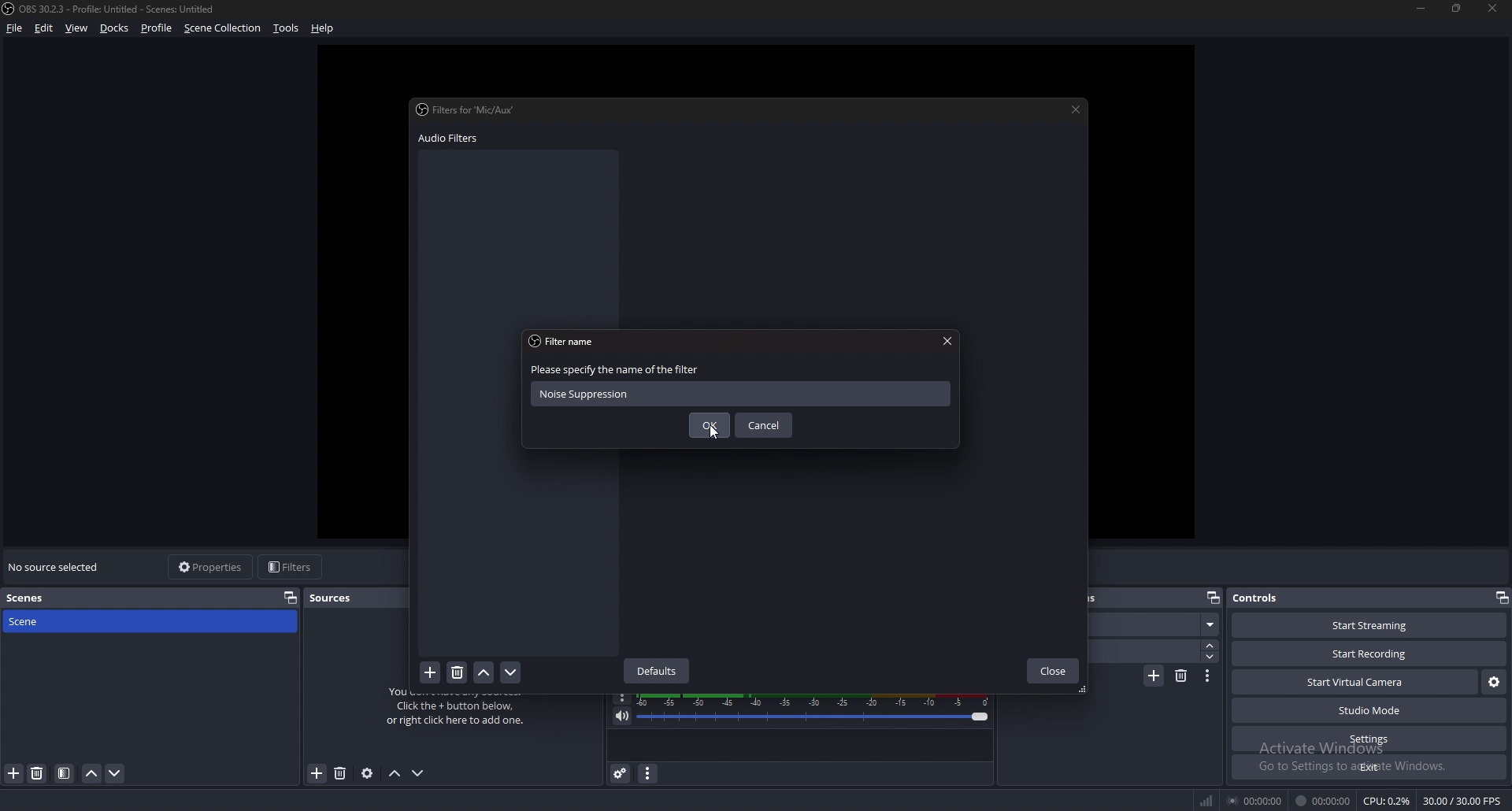 This screenshot has height=811, width=1512. I want to click on noise suppression, so click(639, 394).